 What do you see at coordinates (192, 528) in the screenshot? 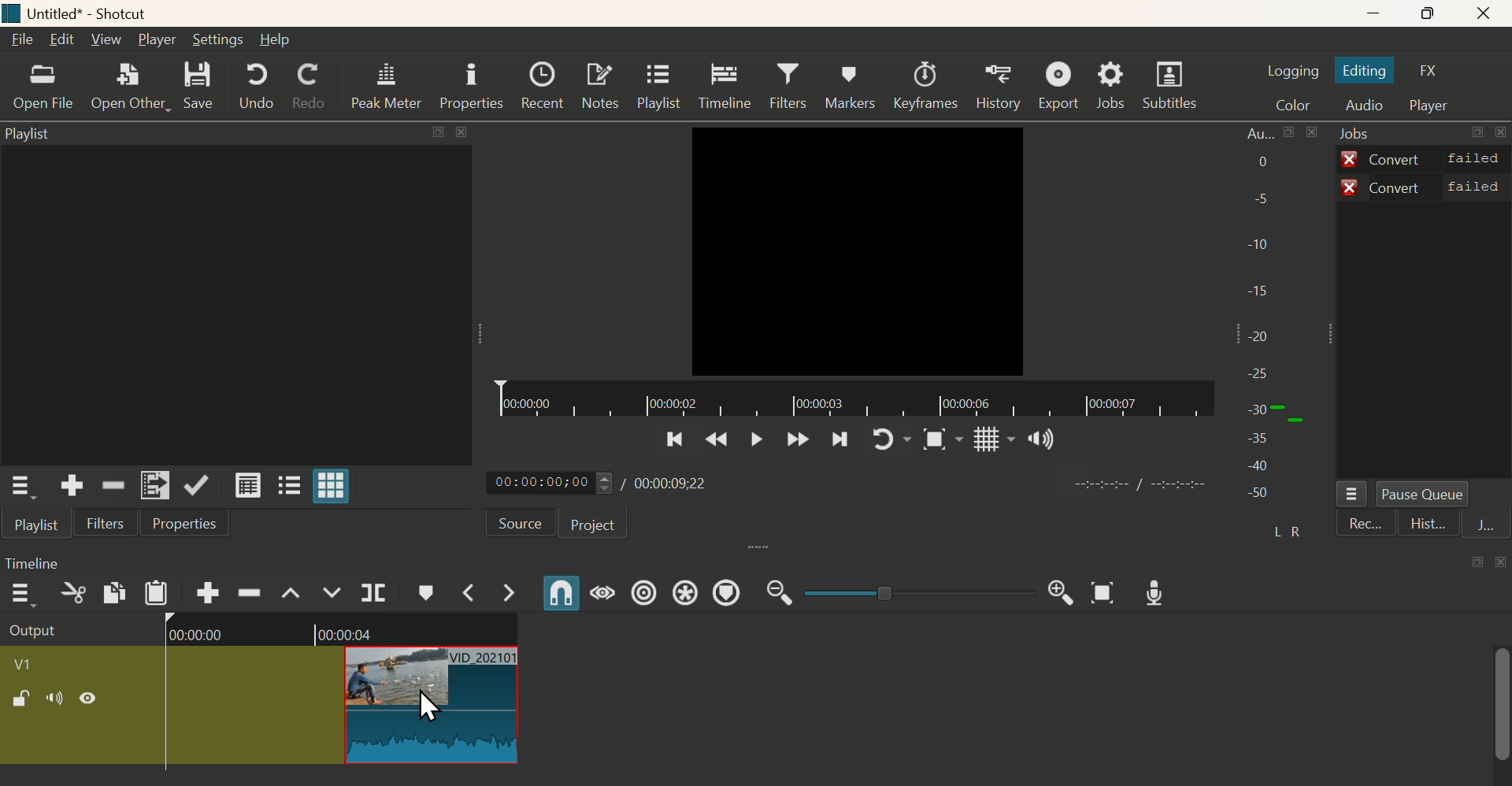
I see `` at bounding box center [192, 528].